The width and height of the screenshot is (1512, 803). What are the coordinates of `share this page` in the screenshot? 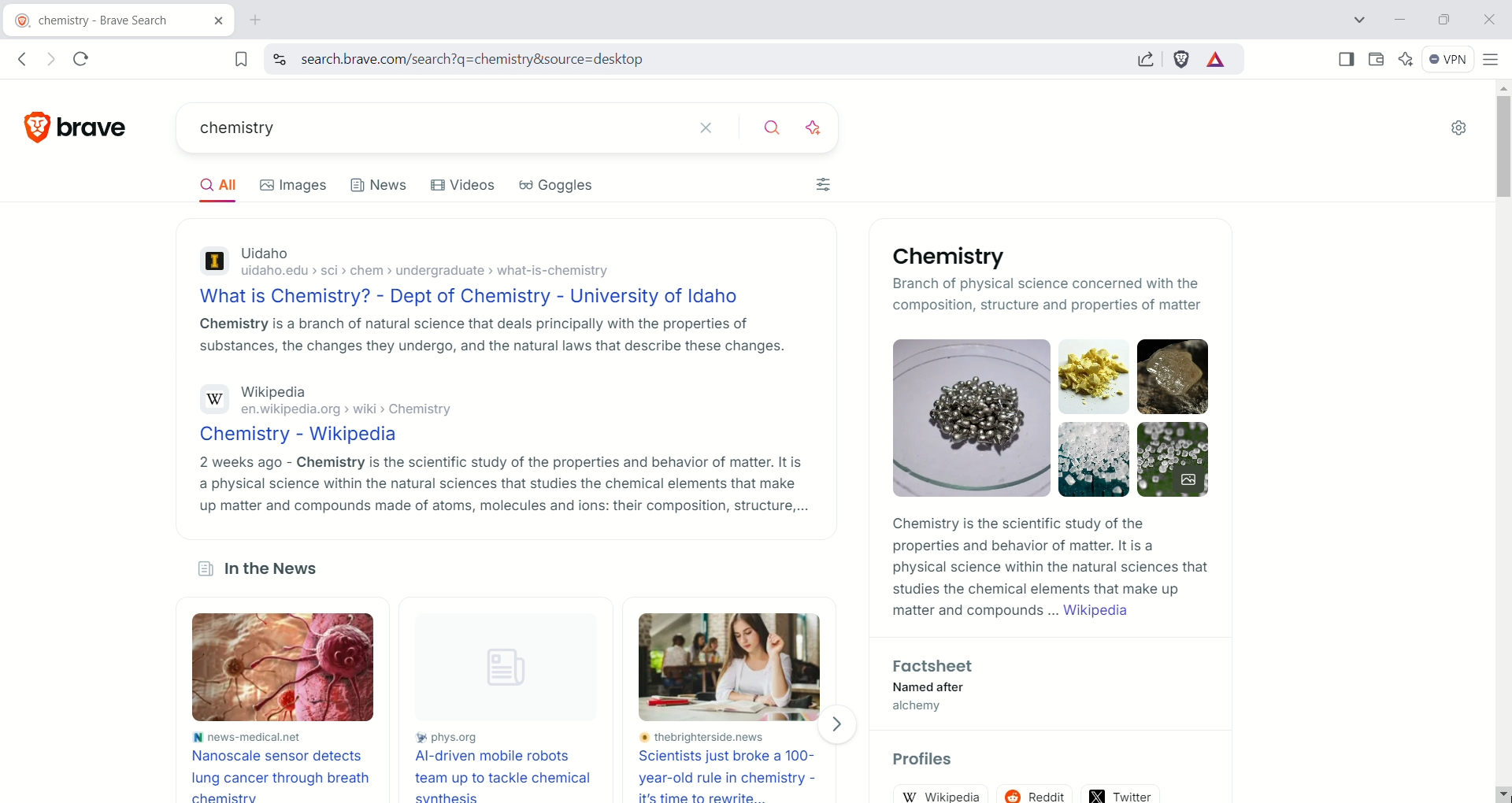 It's located at (1146, 58).